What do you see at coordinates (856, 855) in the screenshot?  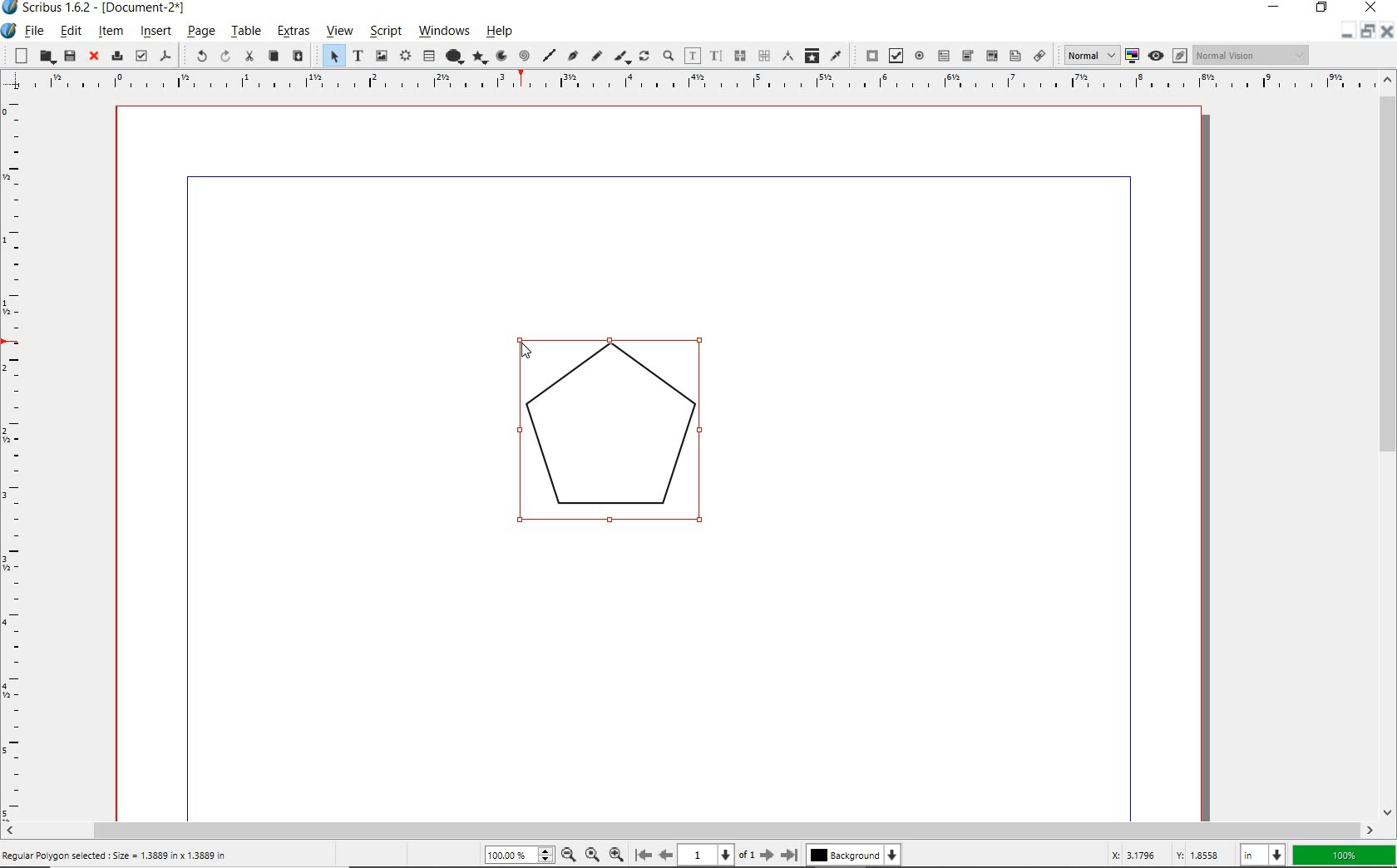 I see `Background` at bounding box center [856, 855].